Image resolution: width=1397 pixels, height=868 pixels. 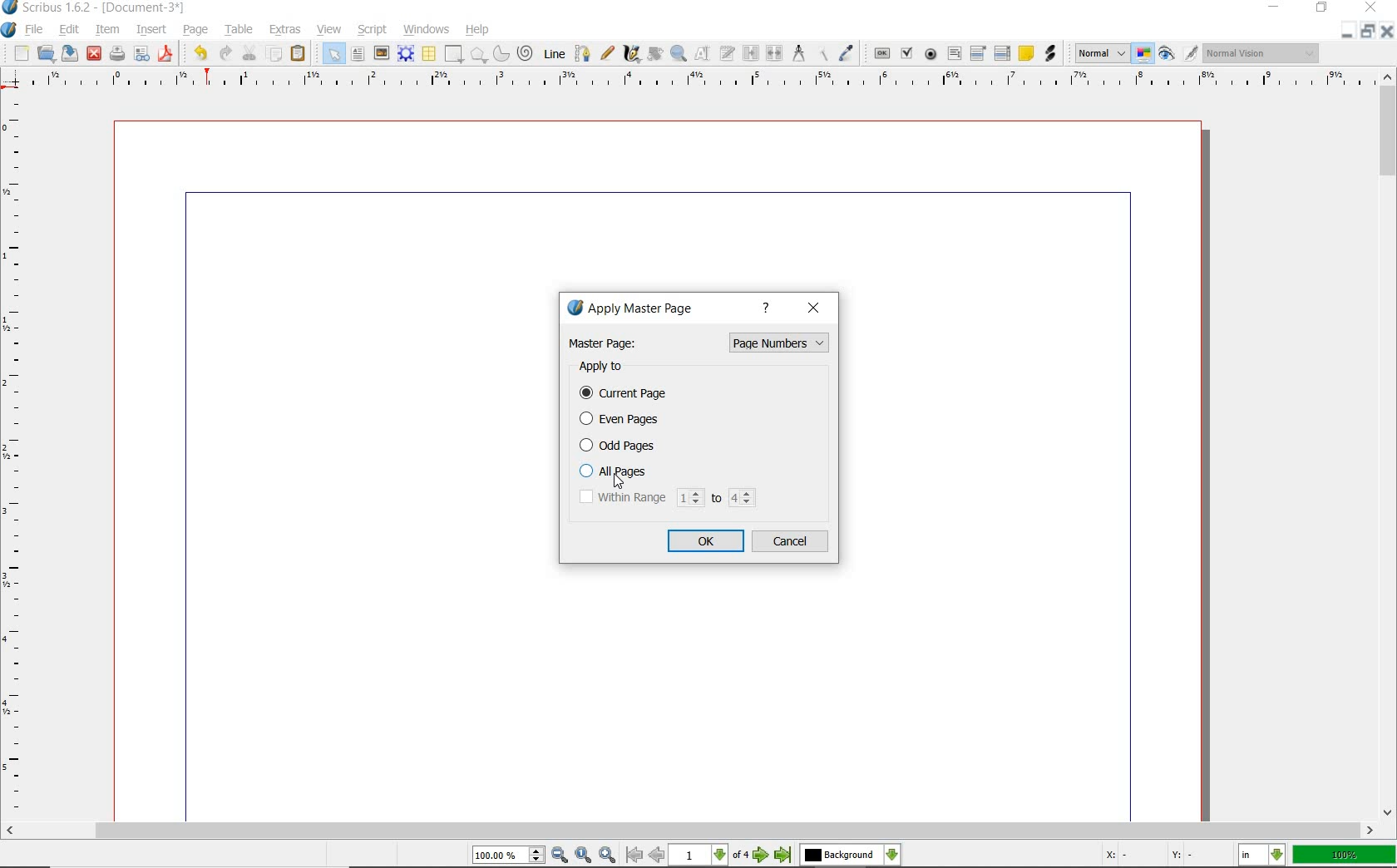 I want to click on open, so click(x=47, y=53).